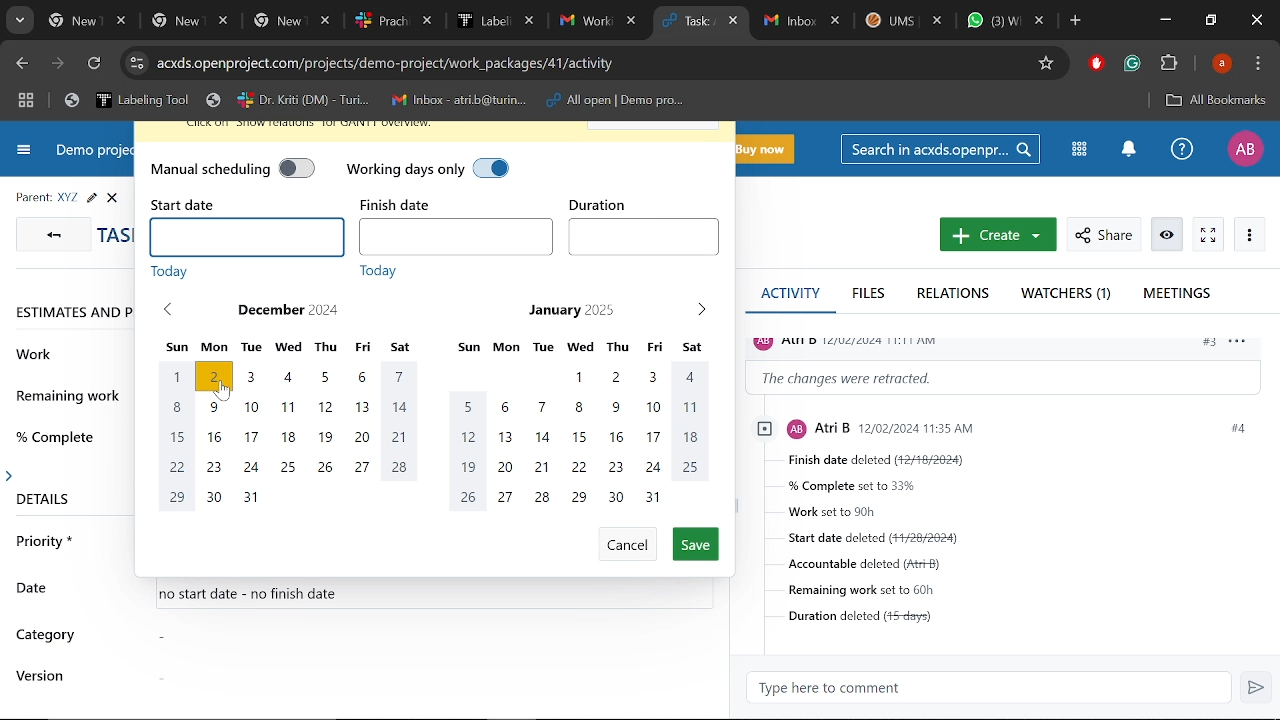 The height and width of the screenshot is (720, 1280). I want to click on % complete, so click(59, 435).